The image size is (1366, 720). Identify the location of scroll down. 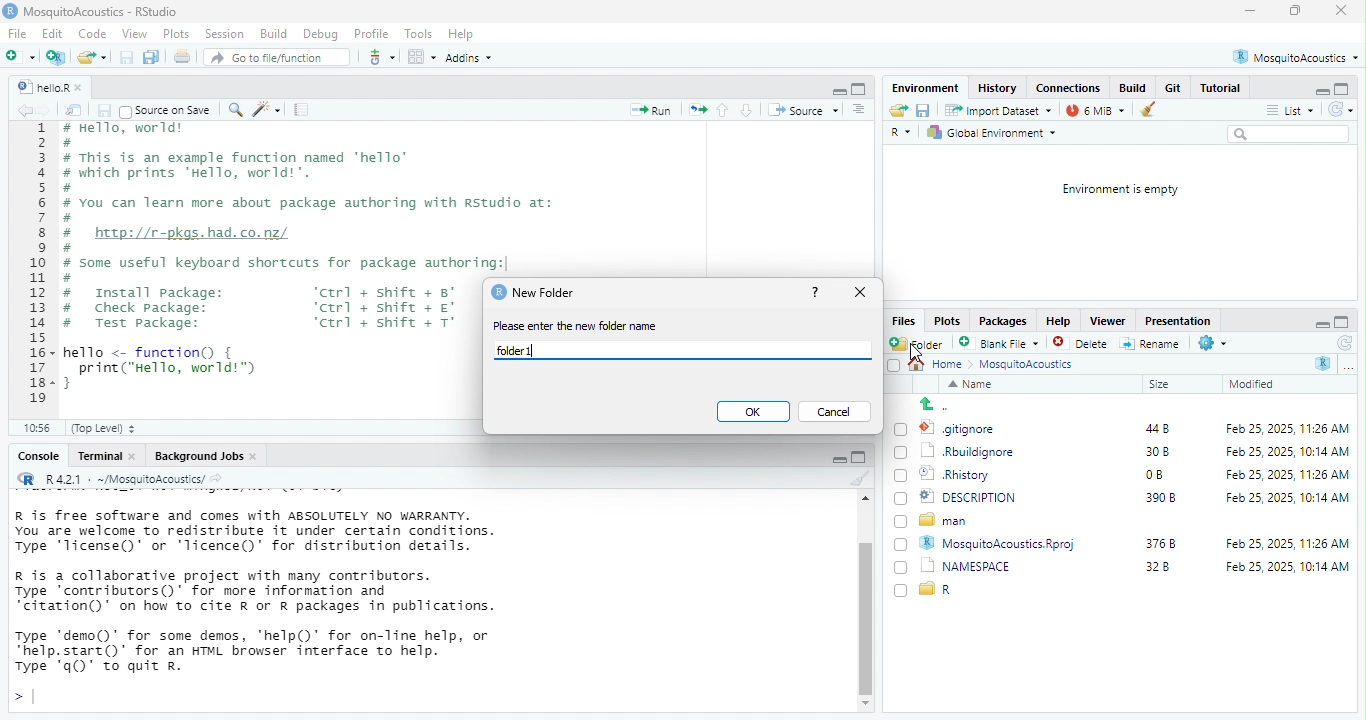
(863, 704).